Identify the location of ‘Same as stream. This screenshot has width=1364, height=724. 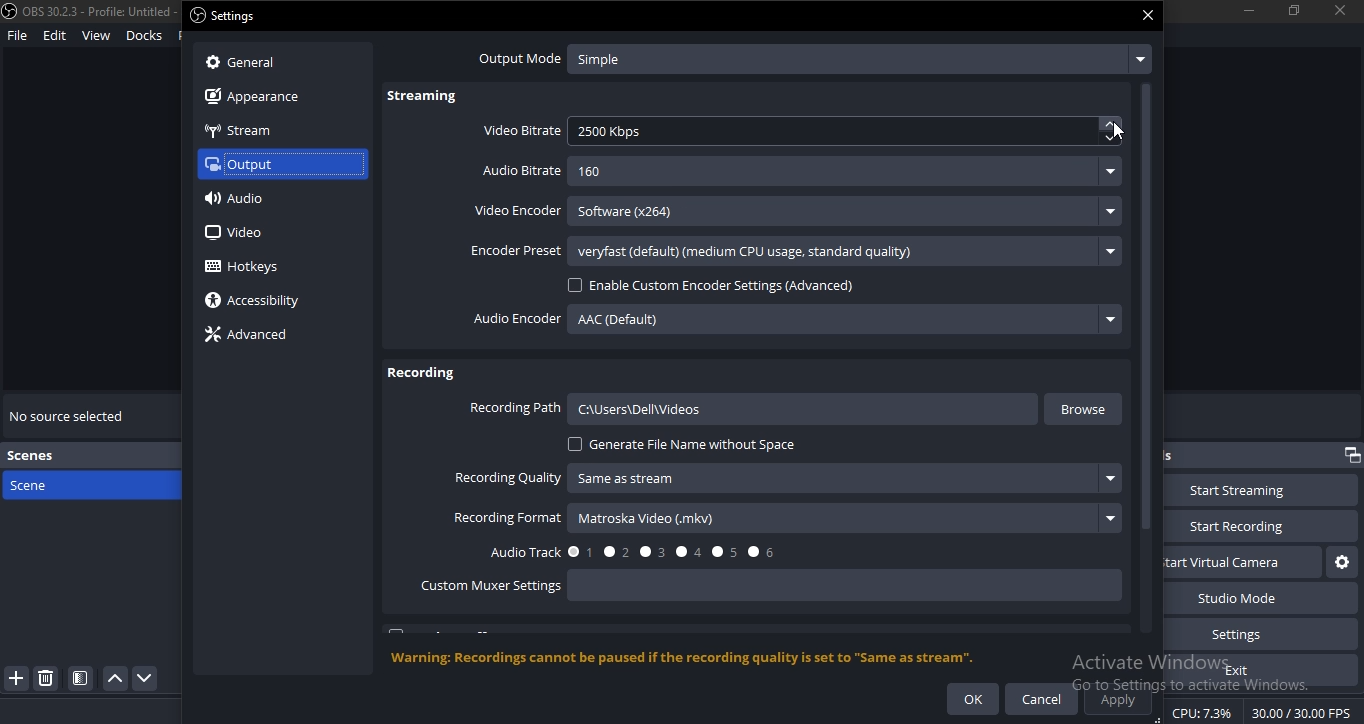
(848, 478).